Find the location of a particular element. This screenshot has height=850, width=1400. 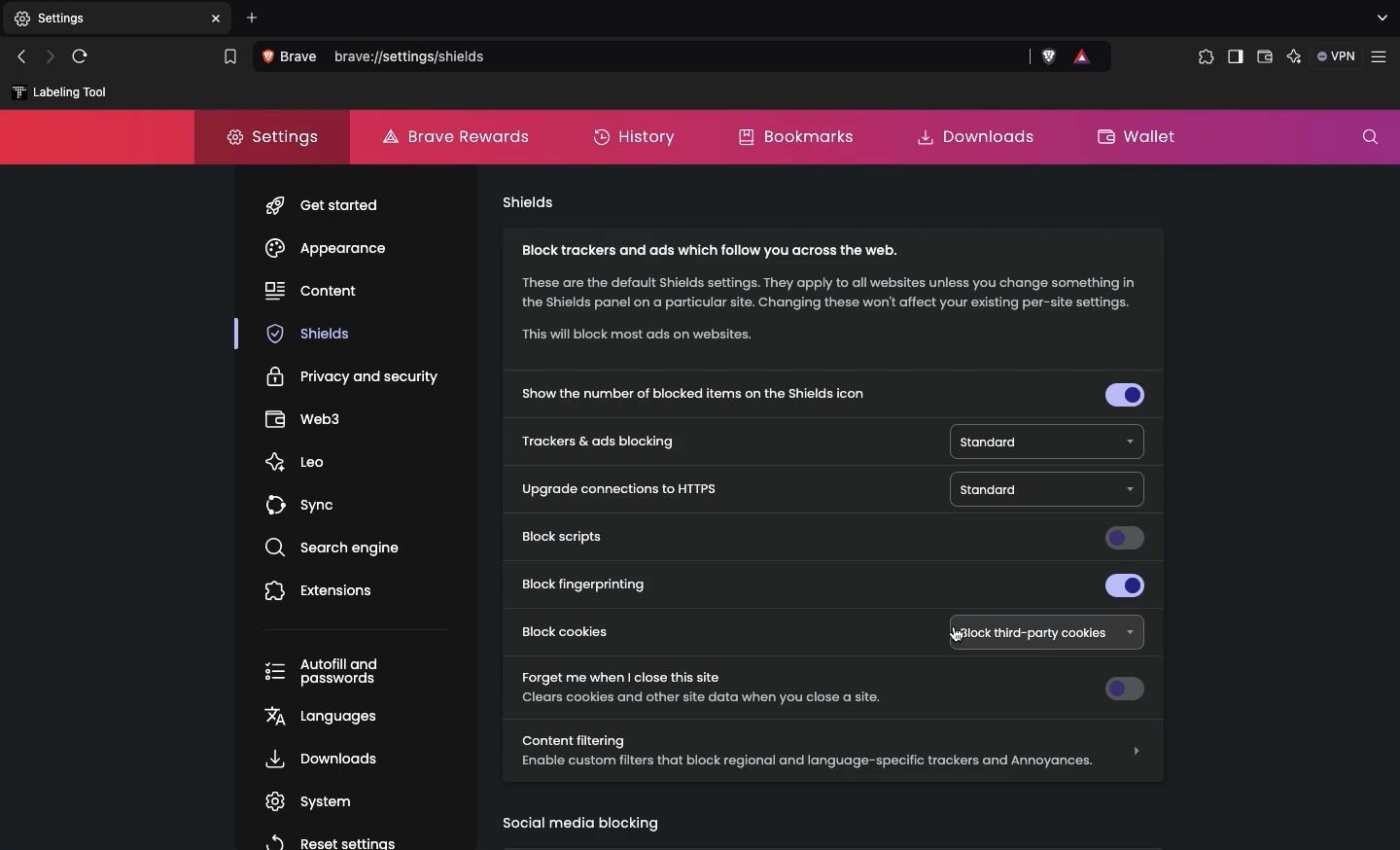

Upgrade connections to HTTPS is located at coordinates (617, 488).